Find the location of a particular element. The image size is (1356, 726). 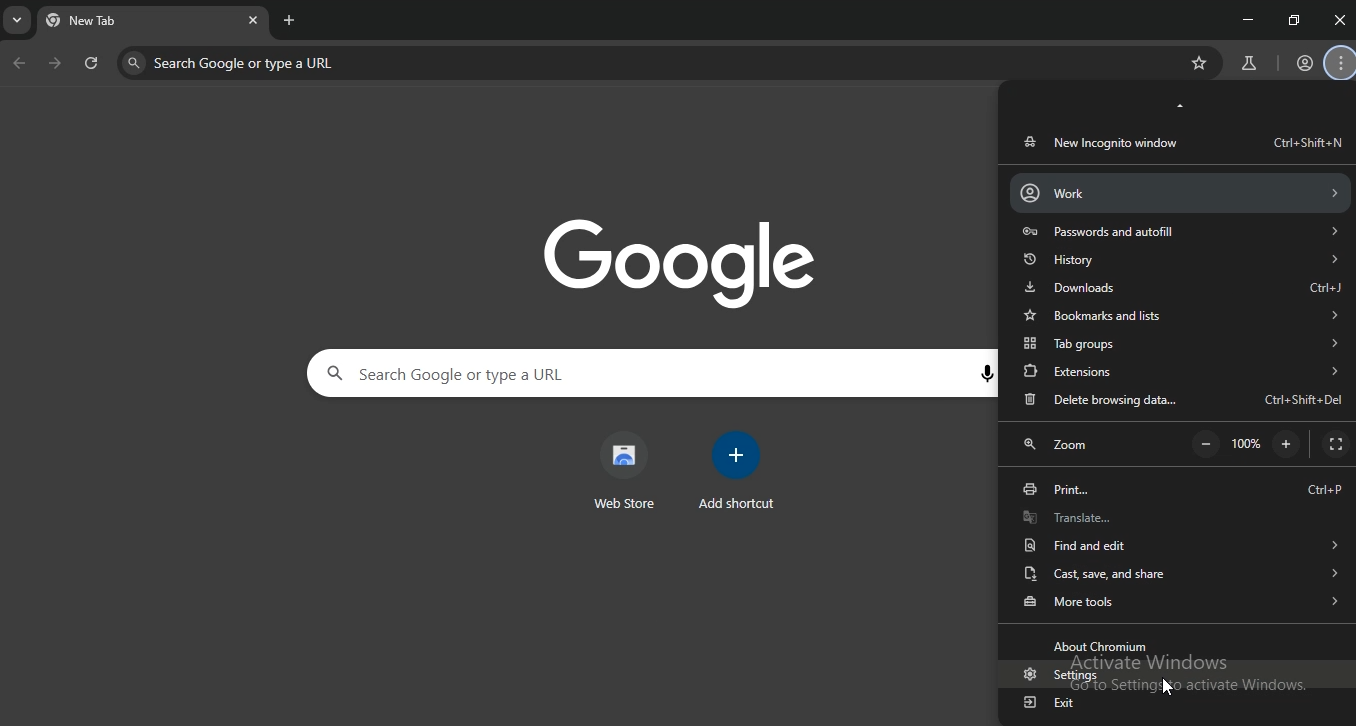

tabgroups is located at coordinates (1180, 345).